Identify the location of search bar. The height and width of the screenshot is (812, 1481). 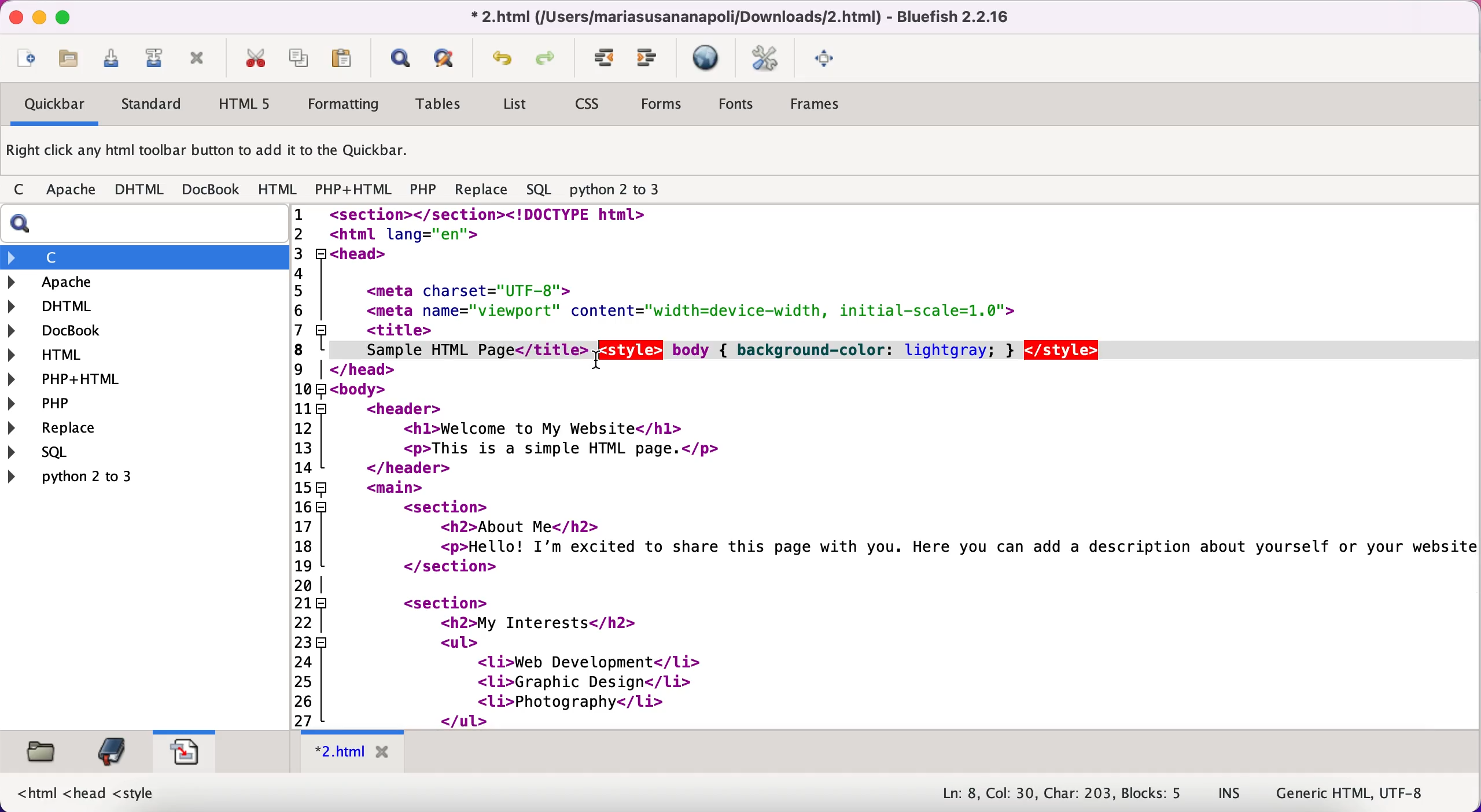
(142, 224).